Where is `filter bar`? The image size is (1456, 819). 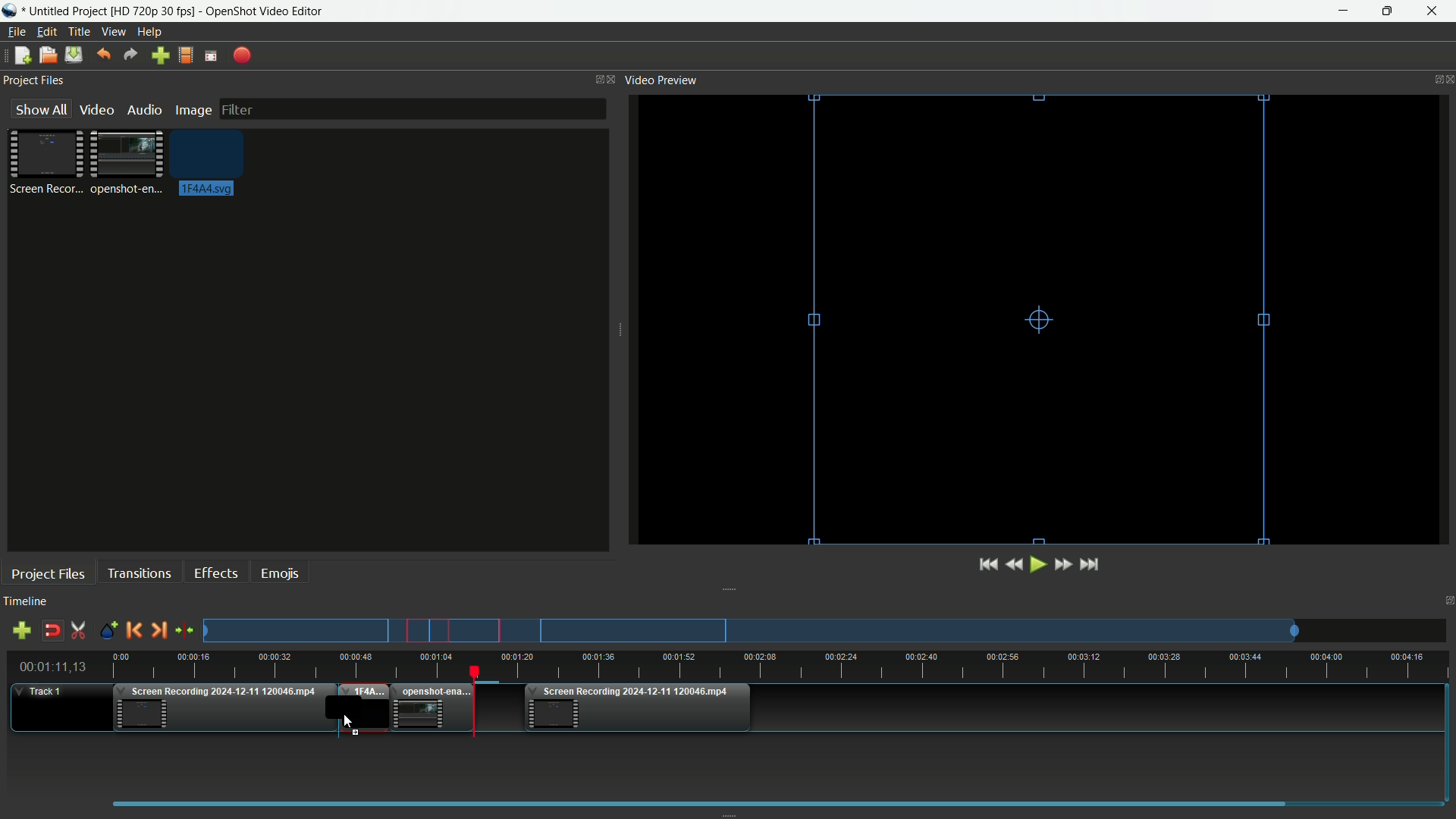
filter bar is located at coordinates (411, 107).